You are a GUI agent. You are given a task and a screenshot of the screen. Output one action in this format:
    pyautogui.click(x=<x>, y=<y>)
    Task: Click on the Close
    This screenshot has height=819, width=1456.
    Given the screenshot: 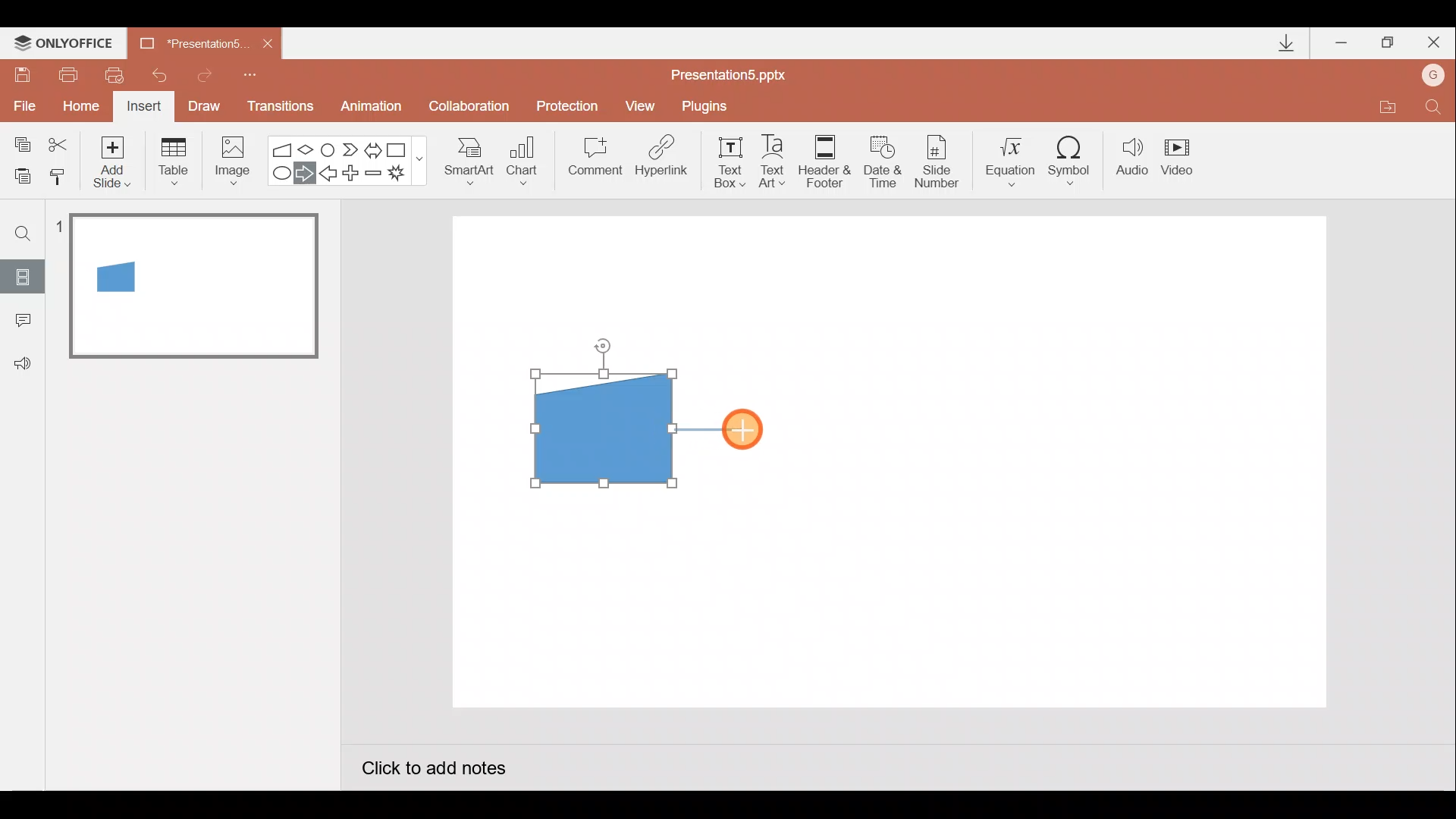 What is the action you would take?
    pyautogui.click(x=268, y=44)
    